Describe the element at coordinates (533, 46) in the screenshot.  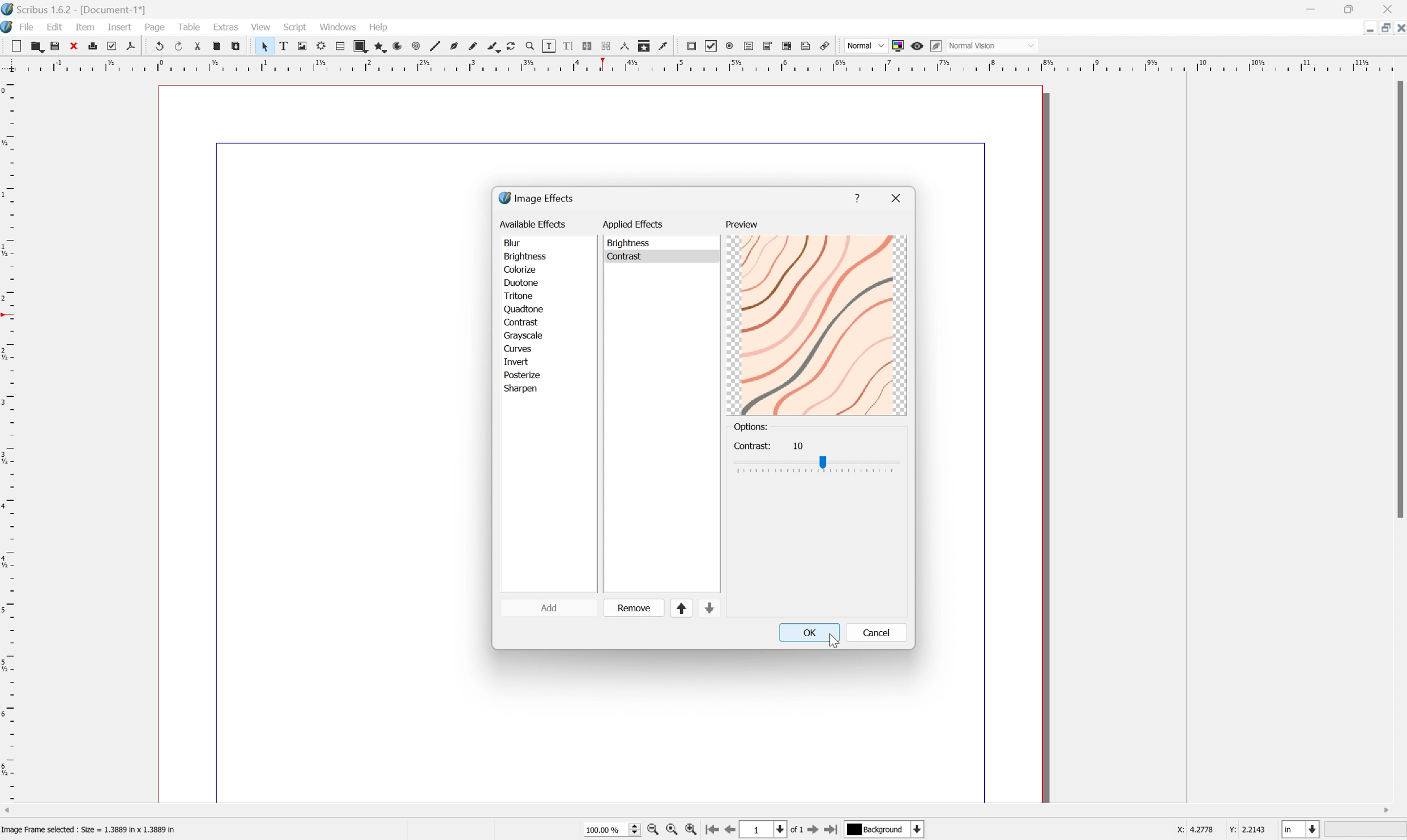
I see `Zoom in or out` at that location.